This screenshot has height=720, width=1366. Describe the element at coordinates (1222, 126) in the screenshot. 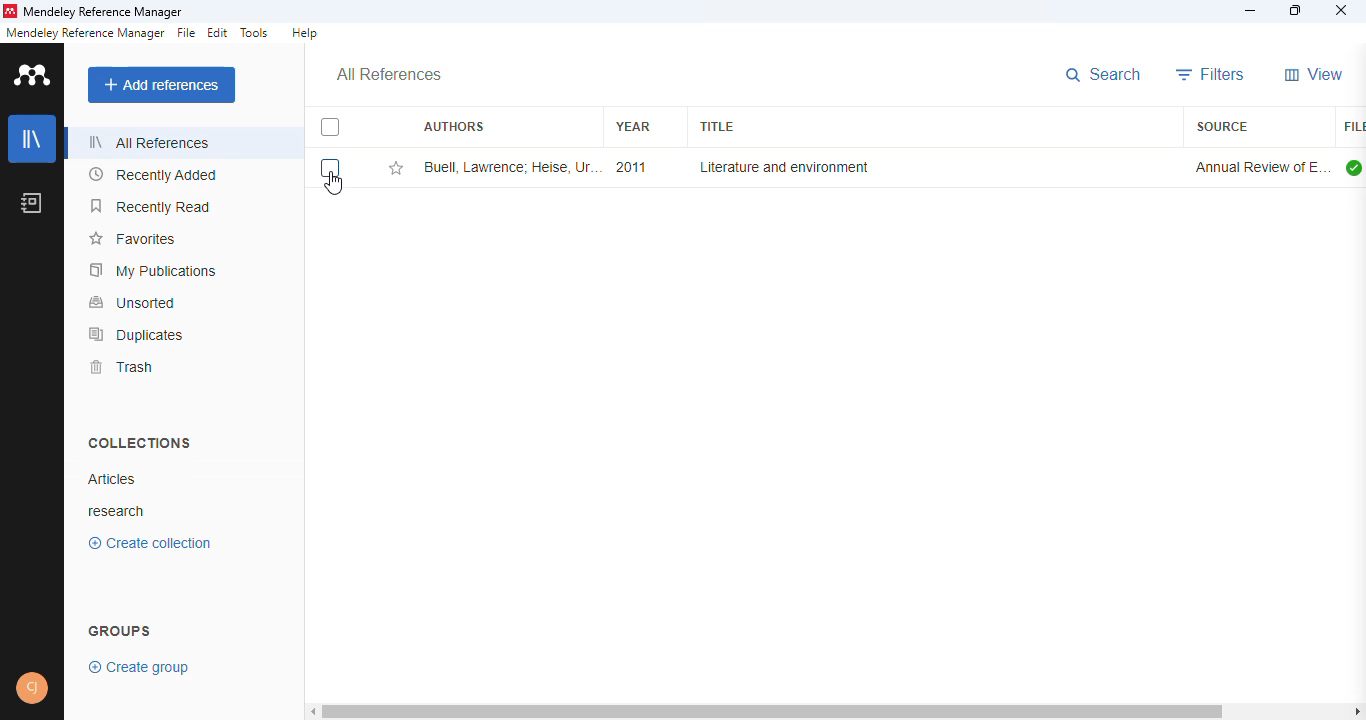

I see `source` at that location.